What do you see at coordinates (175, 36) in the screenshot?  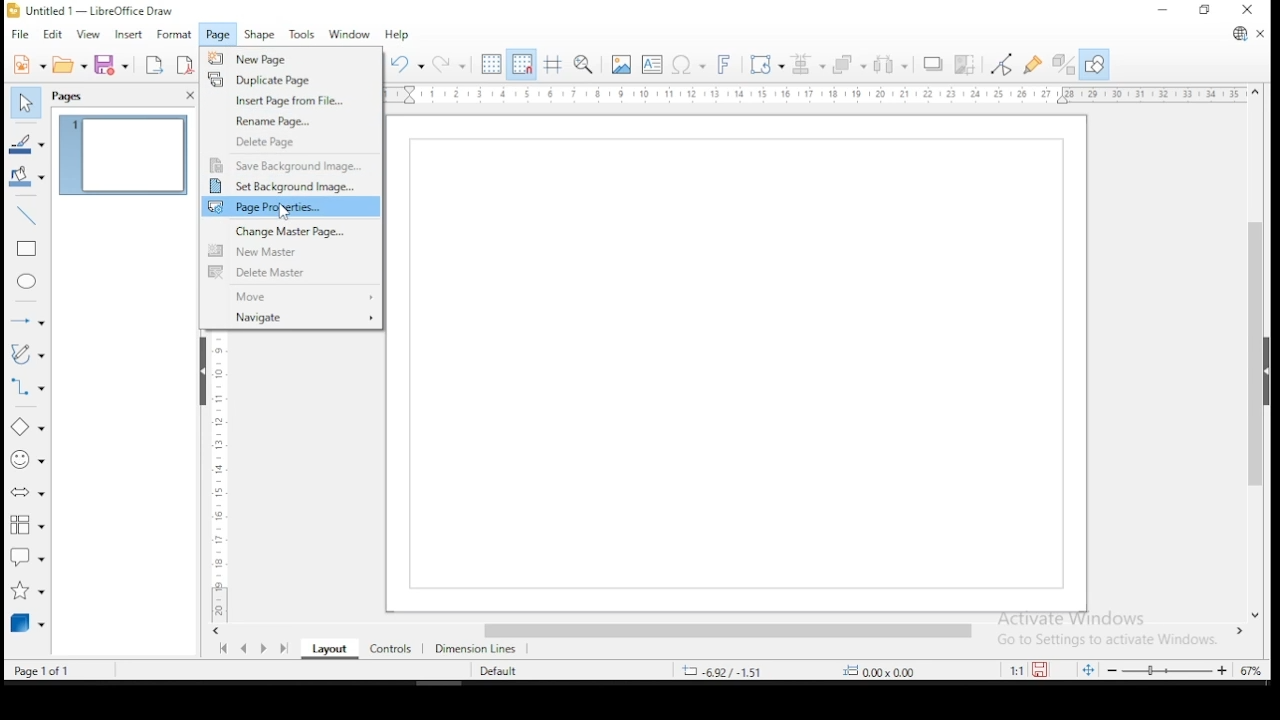 I see `format` at bounding box center [175, 36].